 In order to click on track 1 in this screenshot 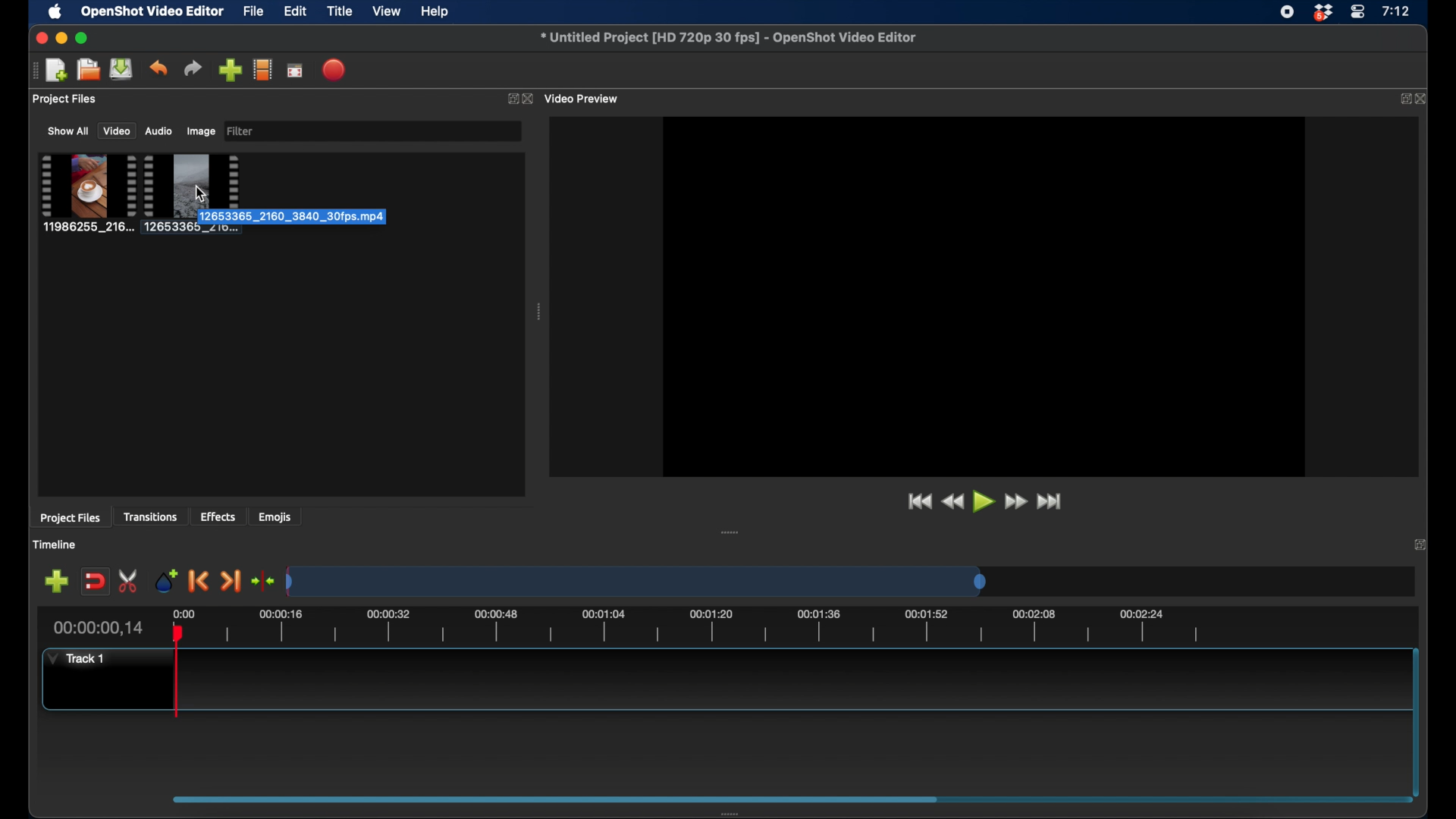, I will do `click(77, 659)`.